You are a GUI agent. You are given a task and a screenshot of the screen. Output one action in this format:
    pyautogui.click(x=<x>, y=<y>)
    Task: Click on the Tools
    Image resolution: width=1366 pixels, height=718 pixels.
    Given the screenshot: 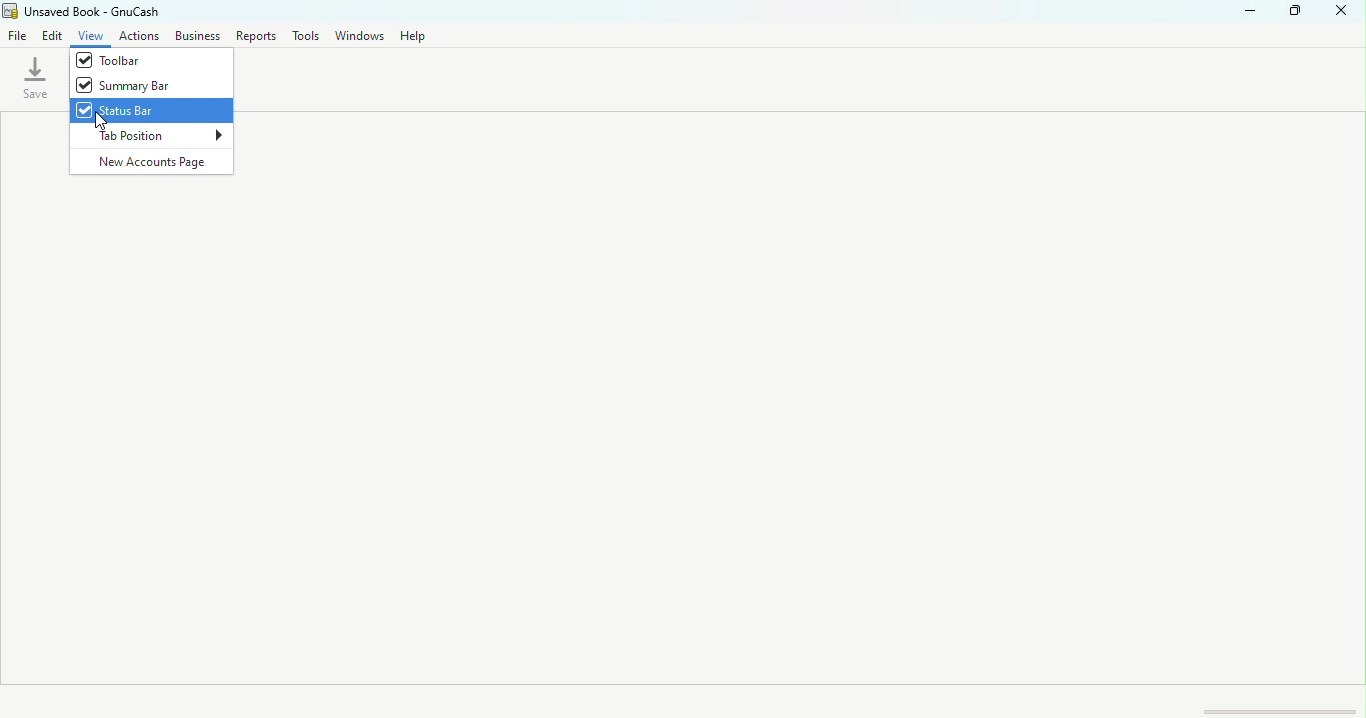 What is the action you would take?
    pyautogui.click(x=301, y=36)
    